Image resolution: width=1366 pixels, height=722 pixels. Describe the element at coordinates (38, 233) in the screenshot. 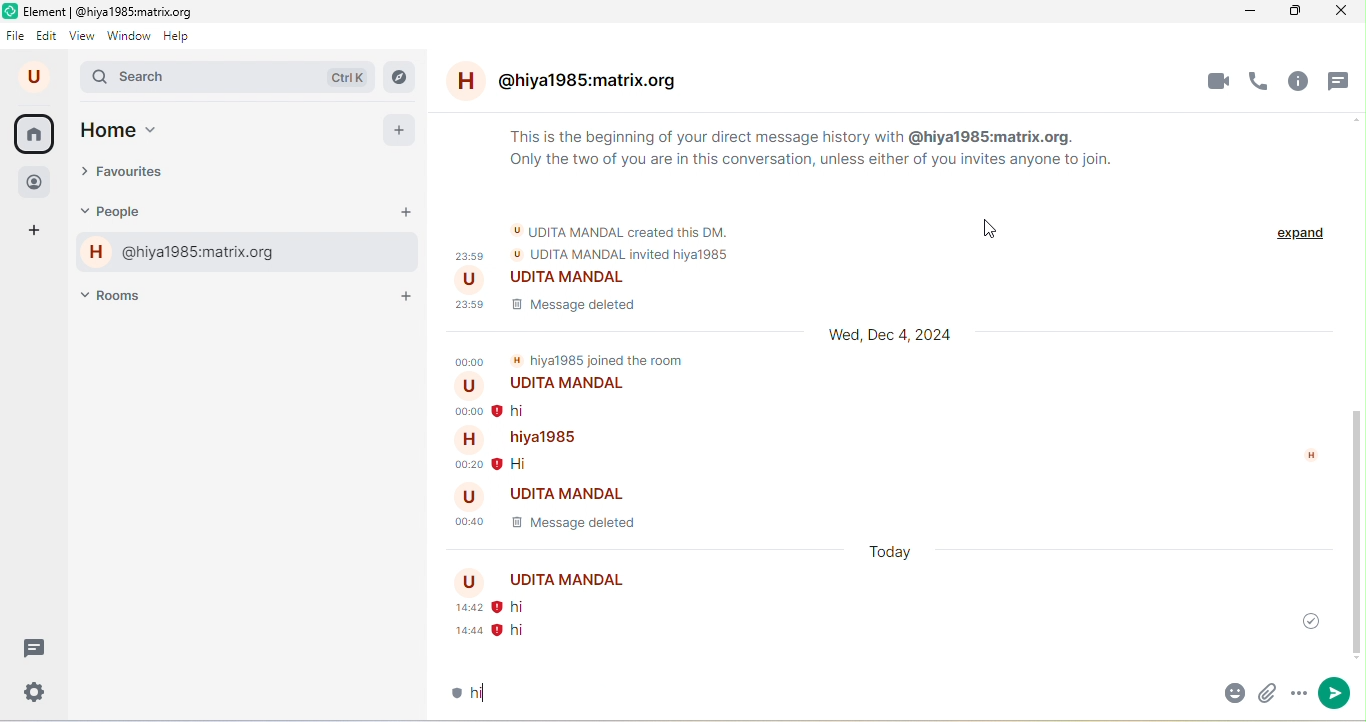

I see `add space` at that location.